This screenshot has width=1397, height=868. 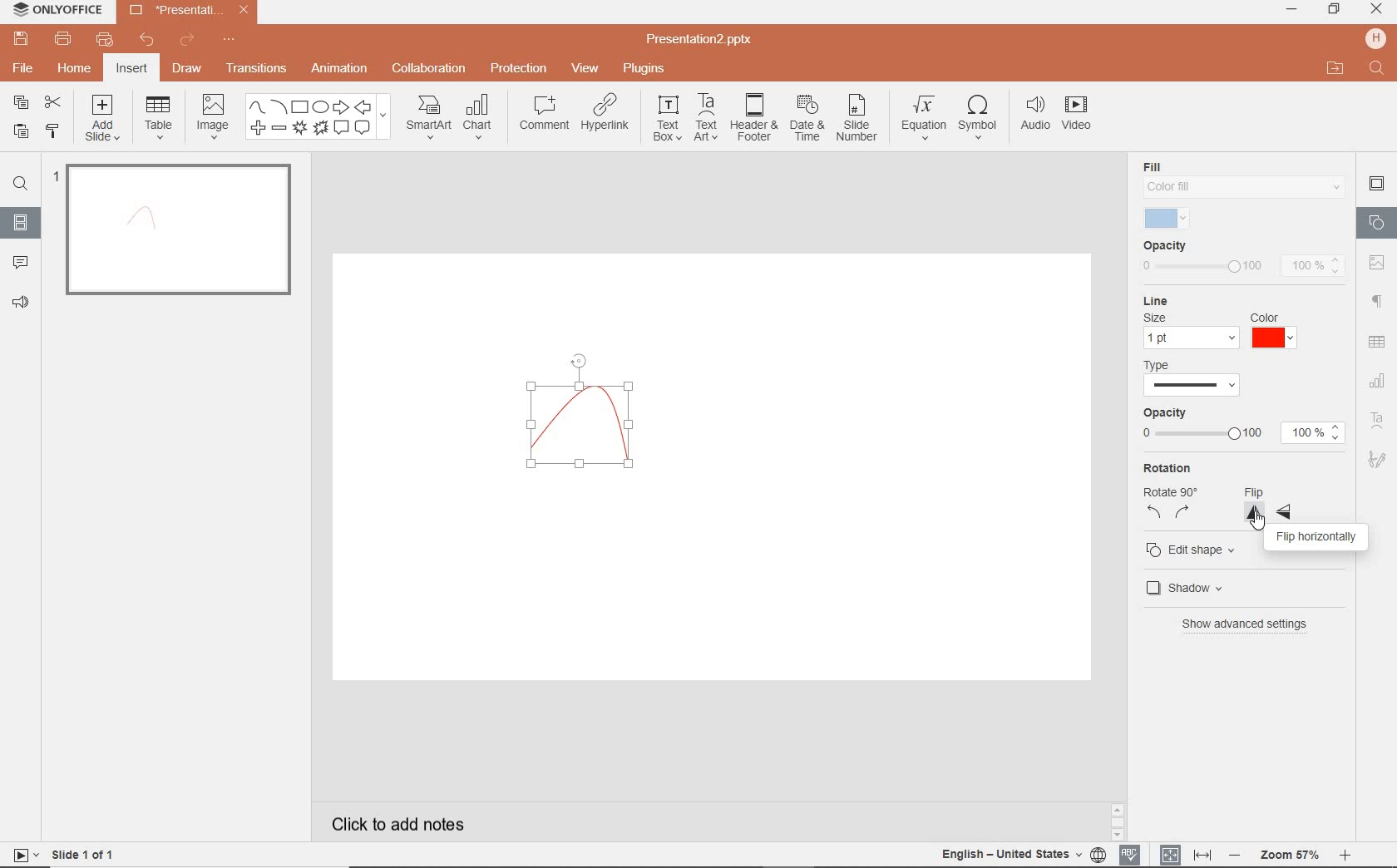 I want to click on MINIMIZE, so click(x=1291, y=10).